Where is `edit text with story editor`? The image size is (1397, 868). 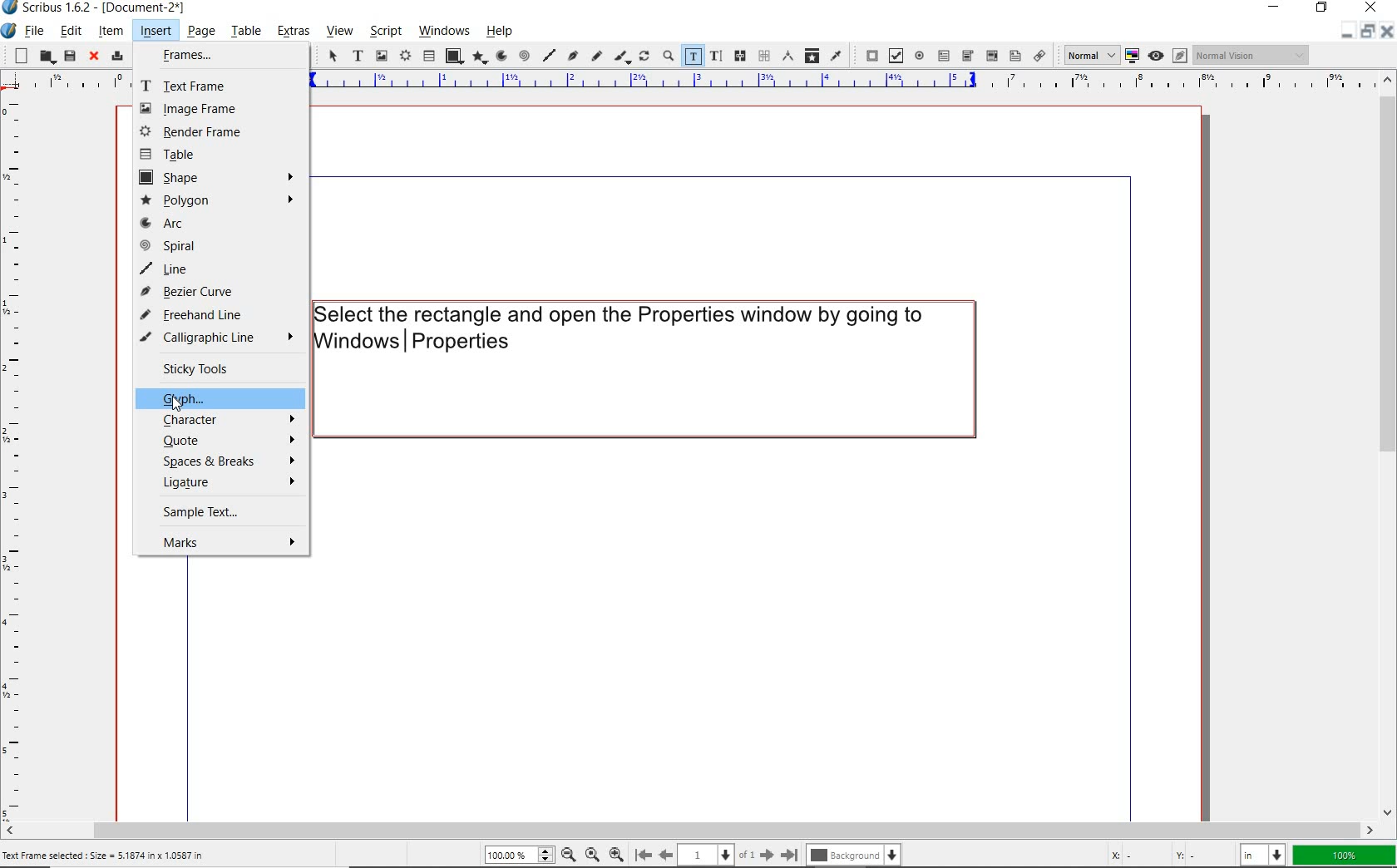
edit text with story editor is located at coordinates (715, 55).